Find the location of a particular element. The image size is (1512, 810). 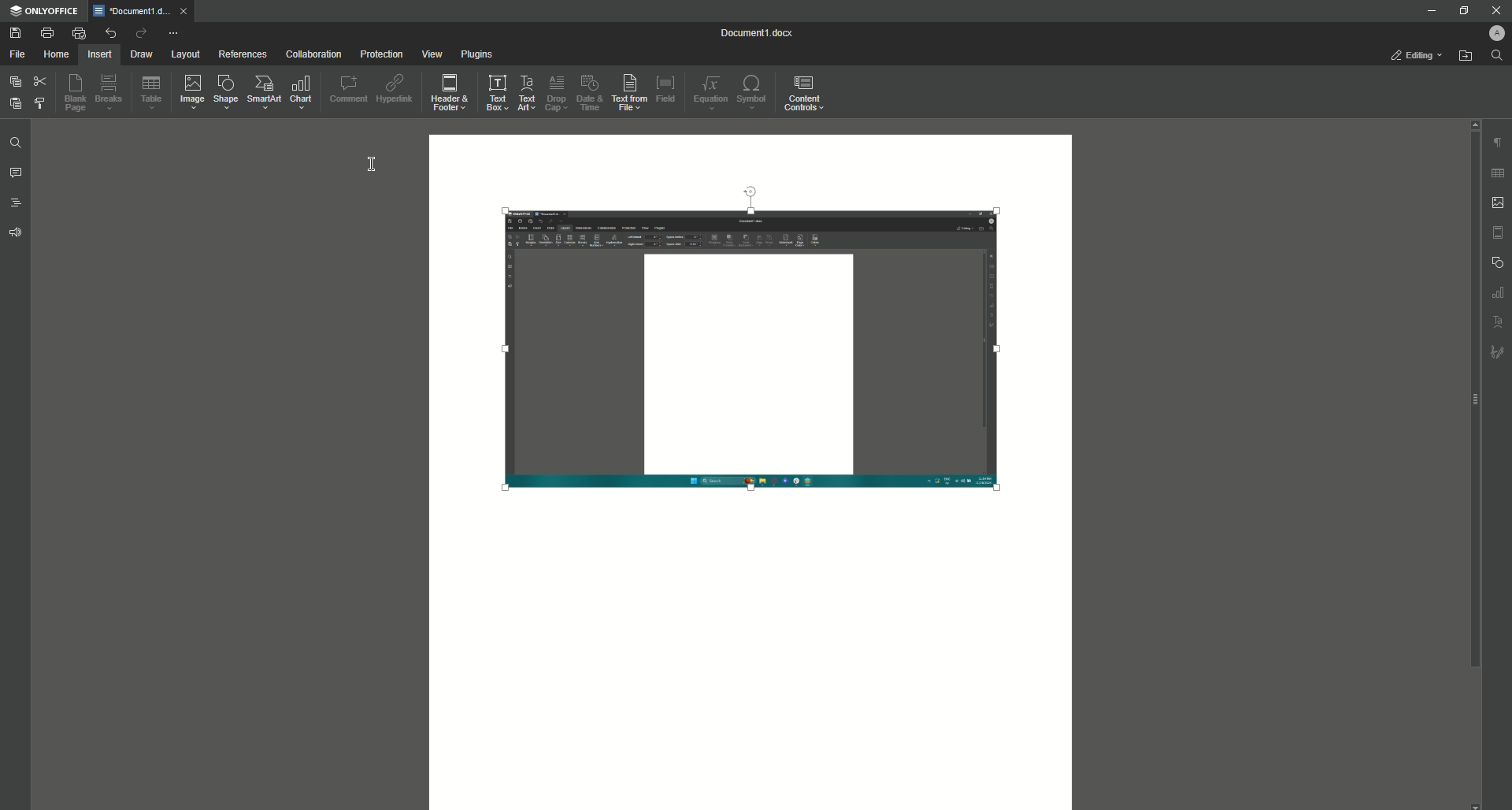

Feedback is located at coordinates (17, 234).